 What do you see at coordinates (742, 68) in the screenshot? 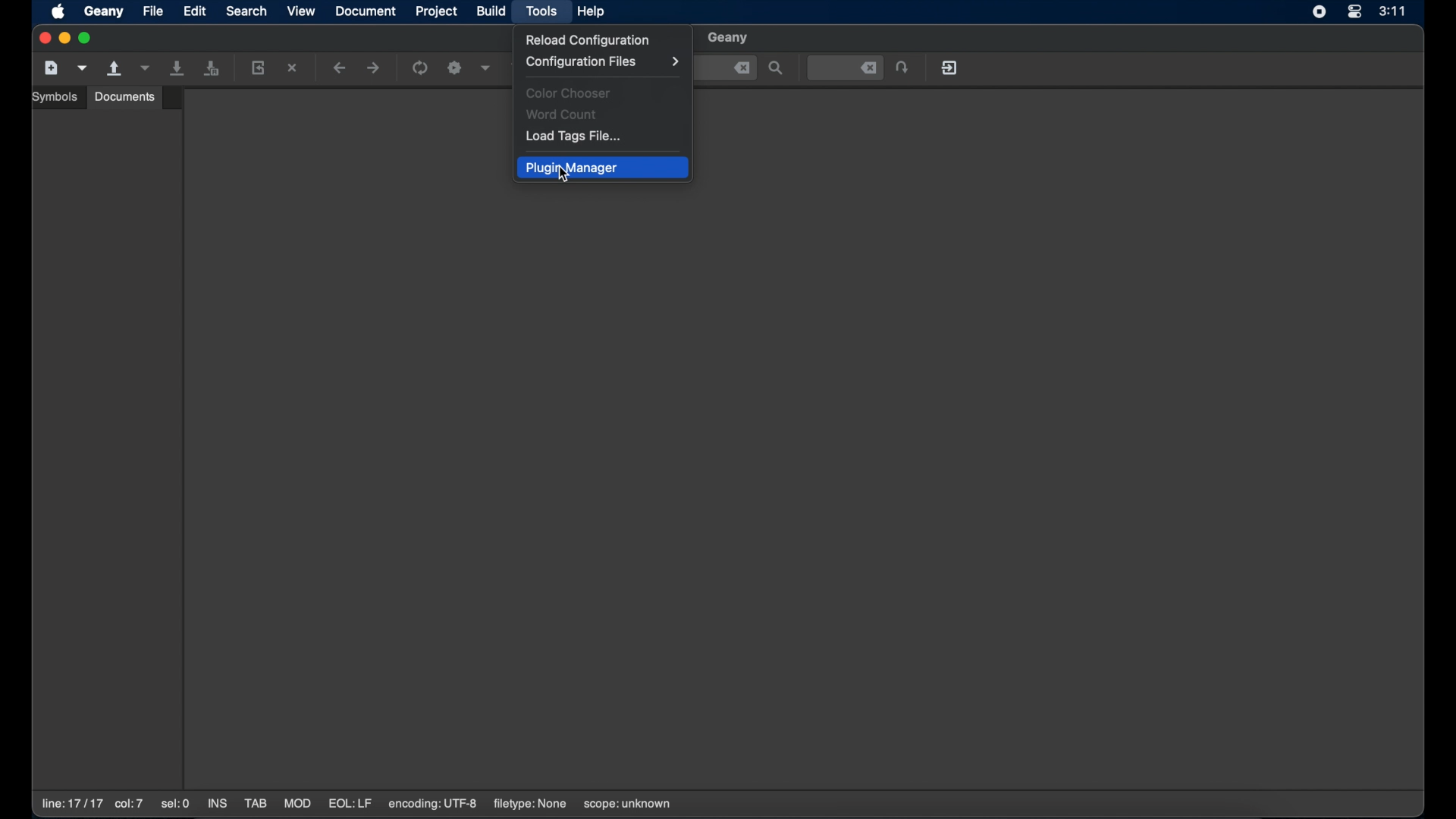
I see `close` at bounding box center [742, 68].